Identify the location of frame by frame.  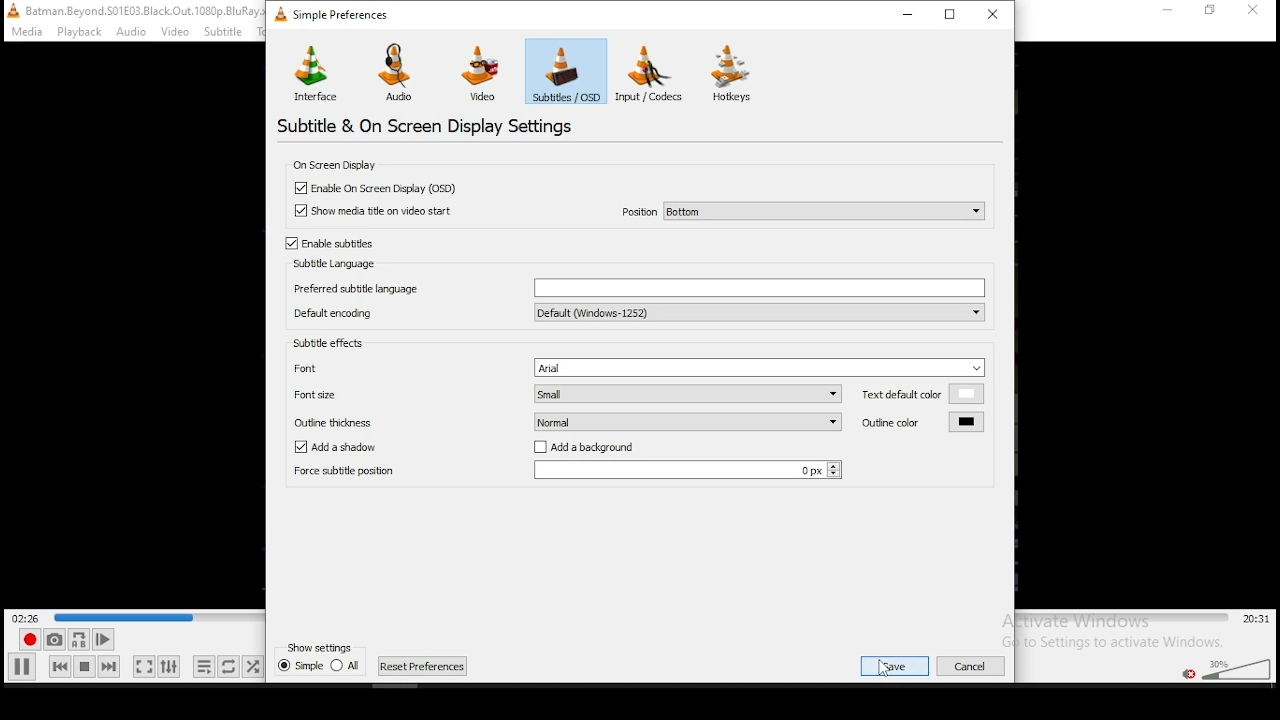
(100, 640).